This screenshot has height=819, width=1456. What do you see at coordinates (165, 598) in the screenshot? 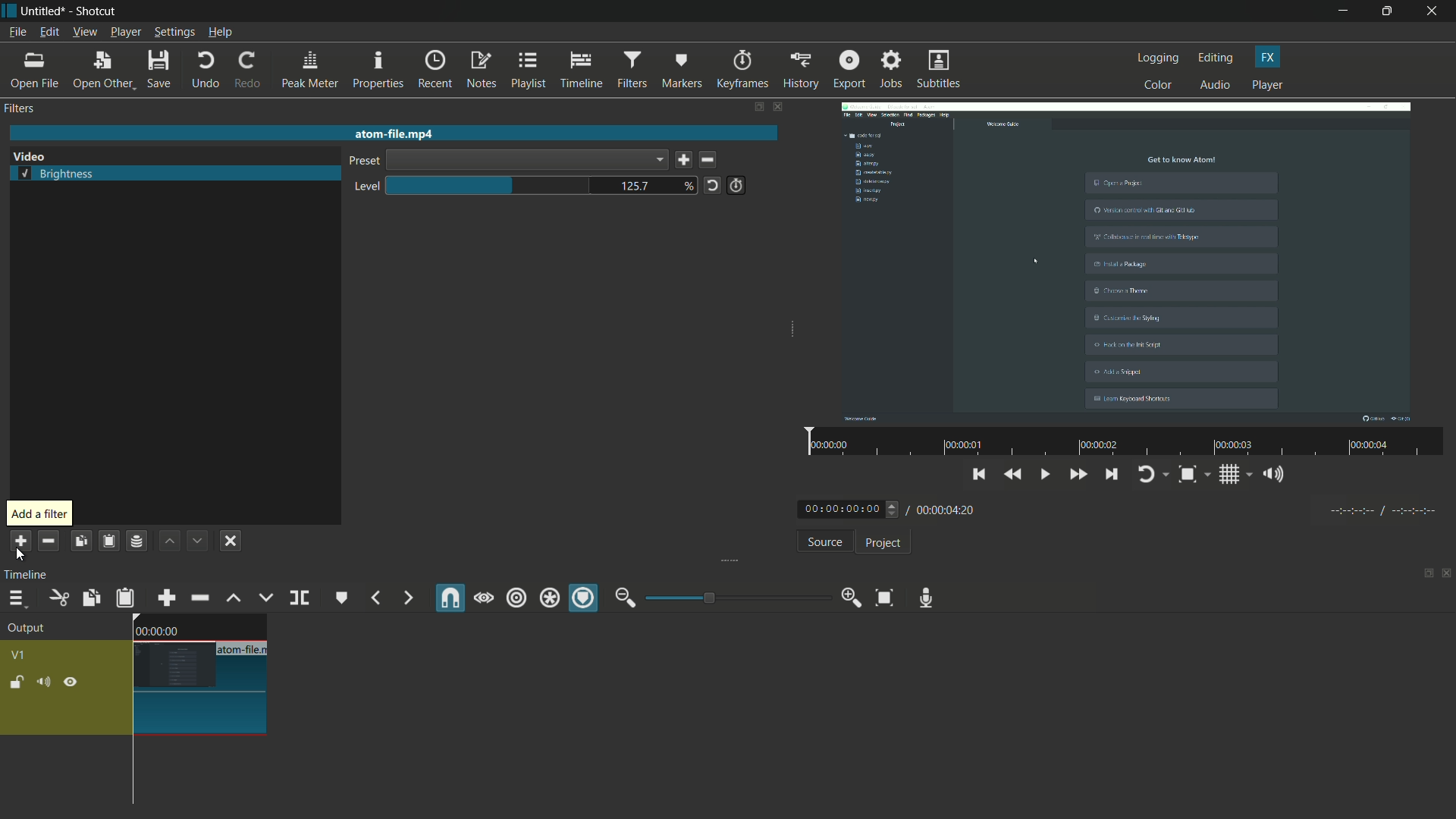
I see `append` at bounding box center [165, 598].